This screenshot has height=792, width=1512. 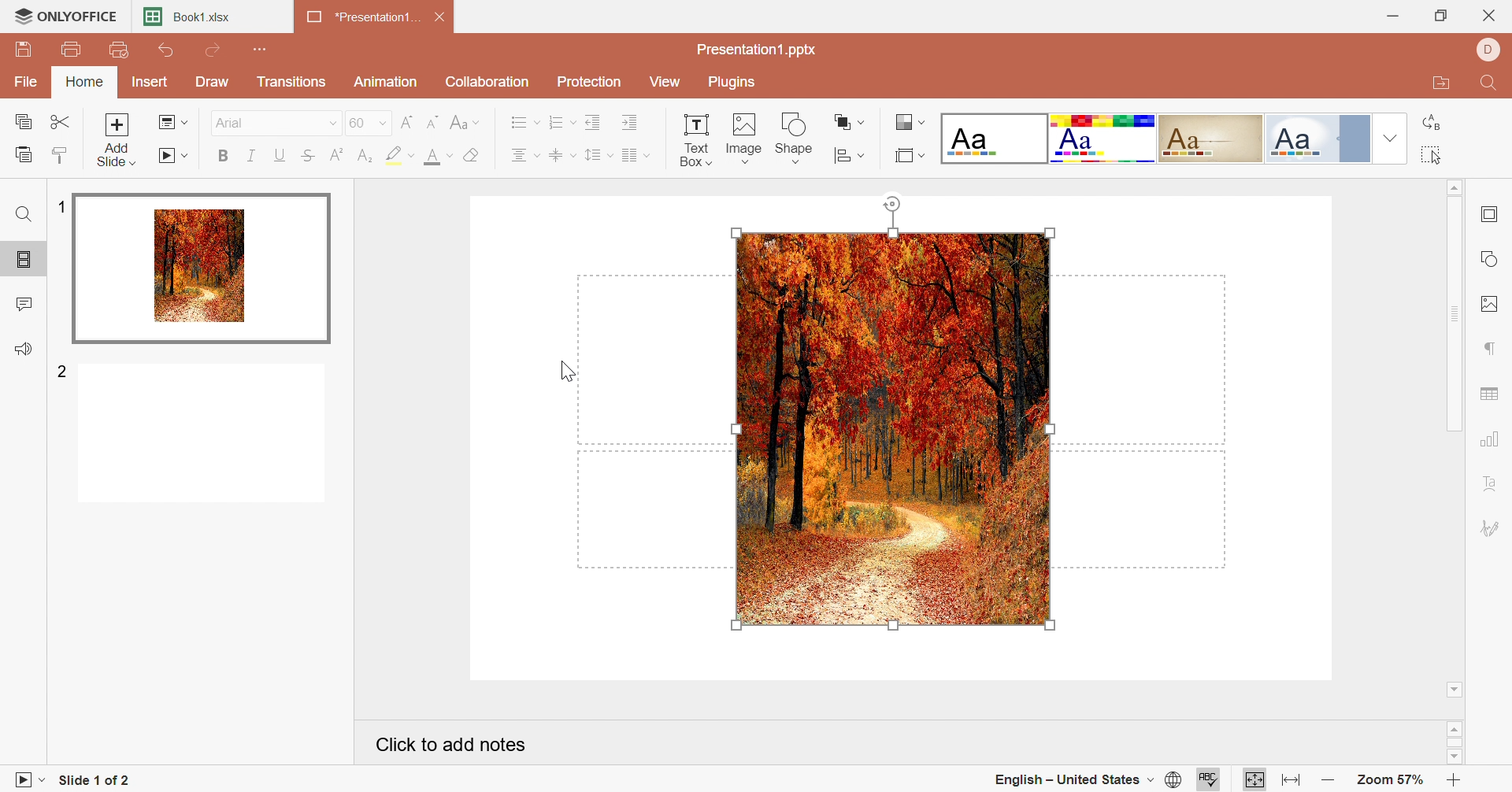 I want to click on Open file location, so click(x=1440, y=86).